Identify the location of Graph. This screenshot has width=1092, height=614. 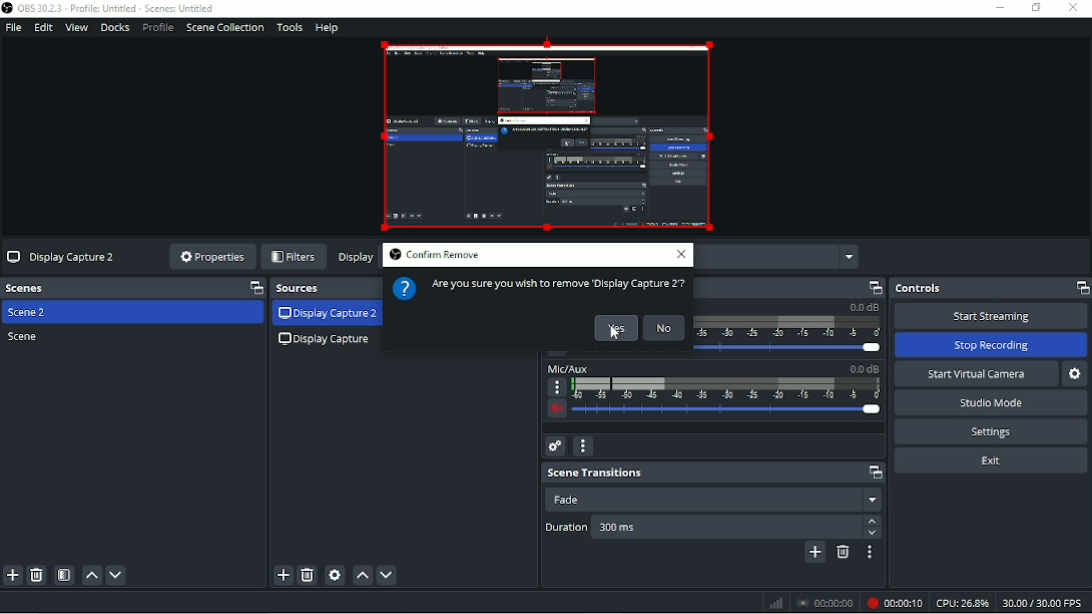
(775, 603).